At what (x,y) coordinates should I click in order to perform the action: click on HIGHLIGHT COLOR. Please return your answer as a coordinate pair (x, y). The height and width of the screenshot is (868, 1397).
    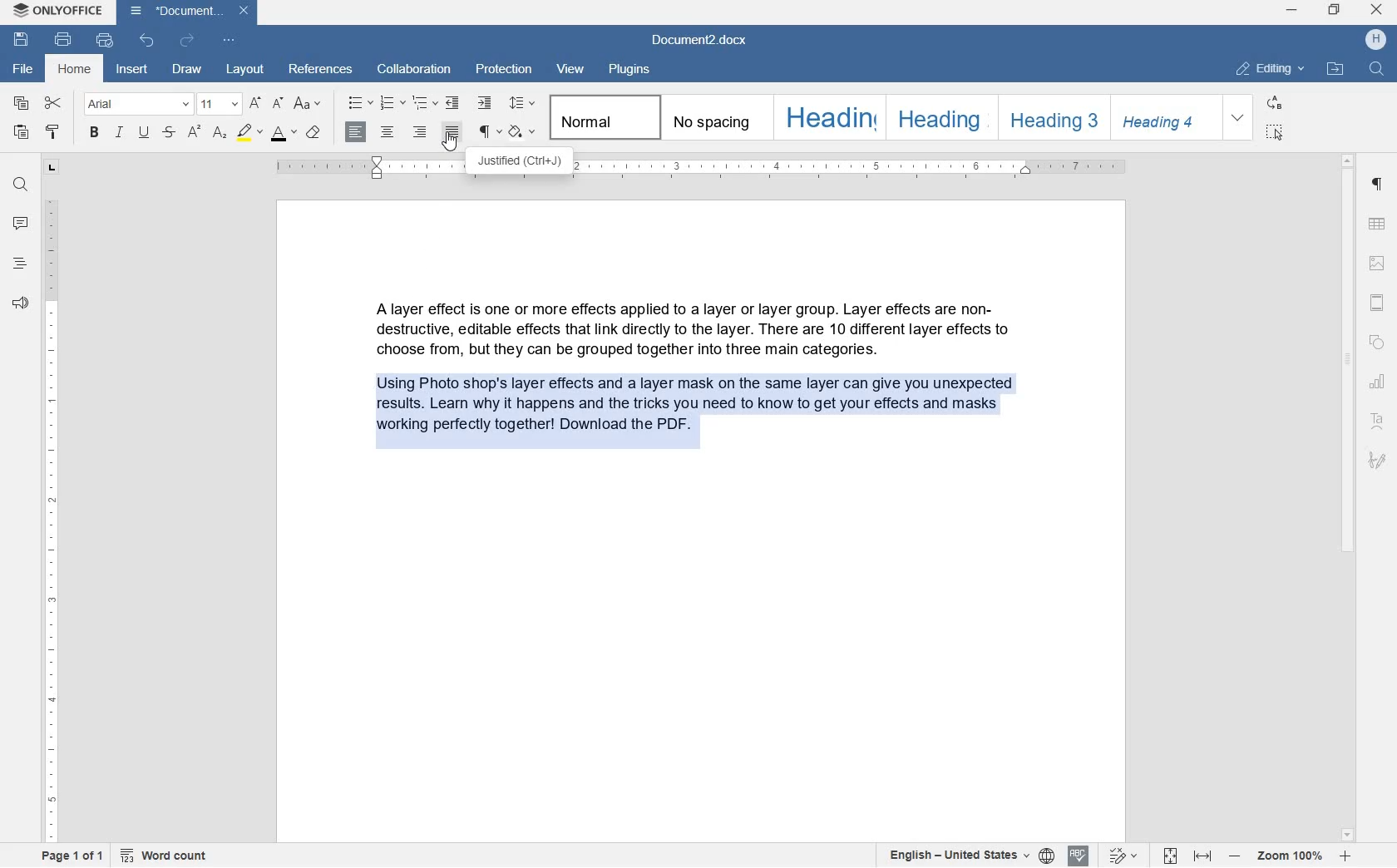
    Looking at the image, I should click on (248, 132).